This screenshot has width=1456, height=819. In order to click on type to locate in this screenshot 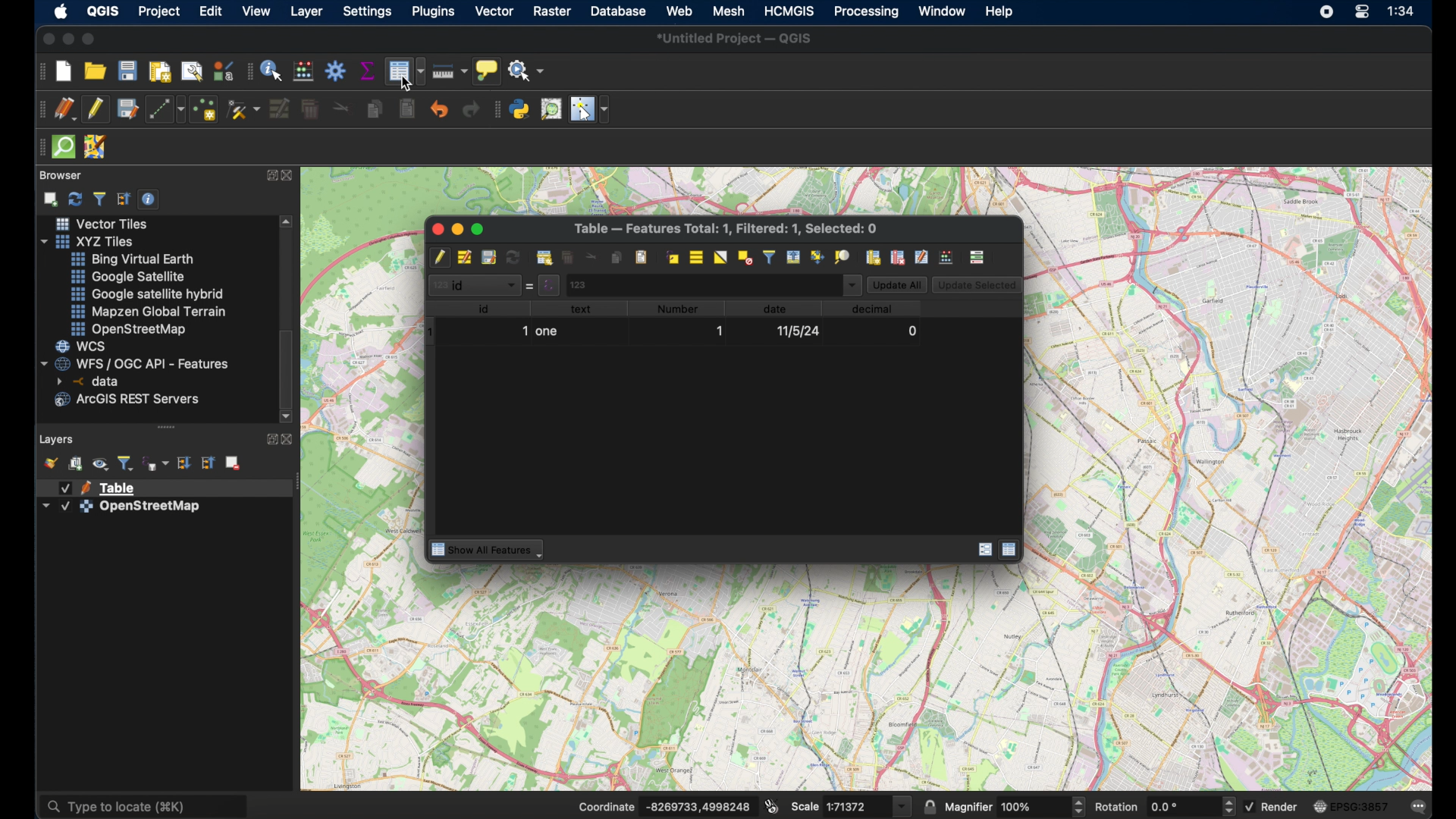, I will do `click(144, 802)`.